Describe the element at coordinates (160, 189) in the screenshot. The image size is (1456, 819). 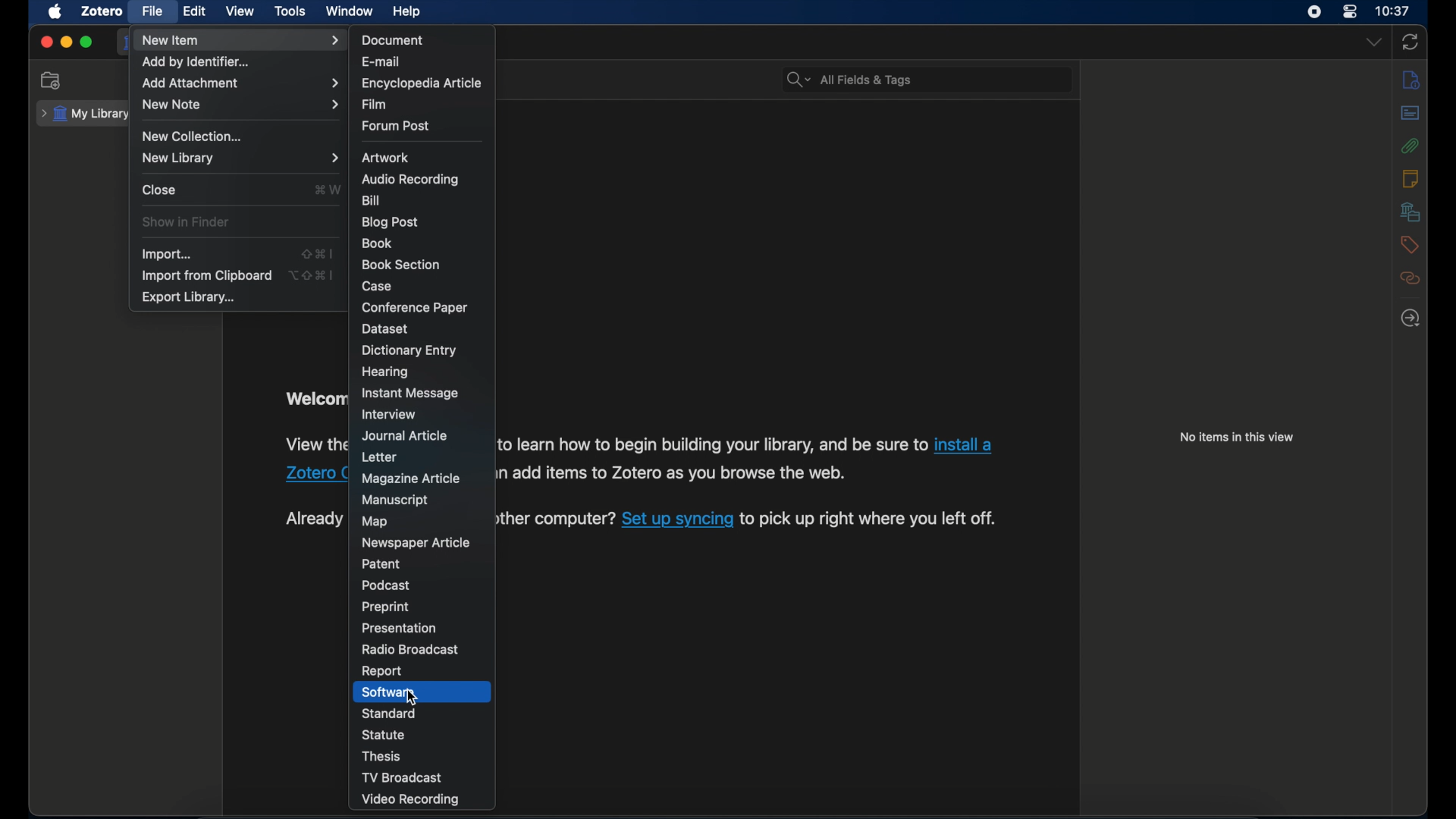
I see `close` at that location.